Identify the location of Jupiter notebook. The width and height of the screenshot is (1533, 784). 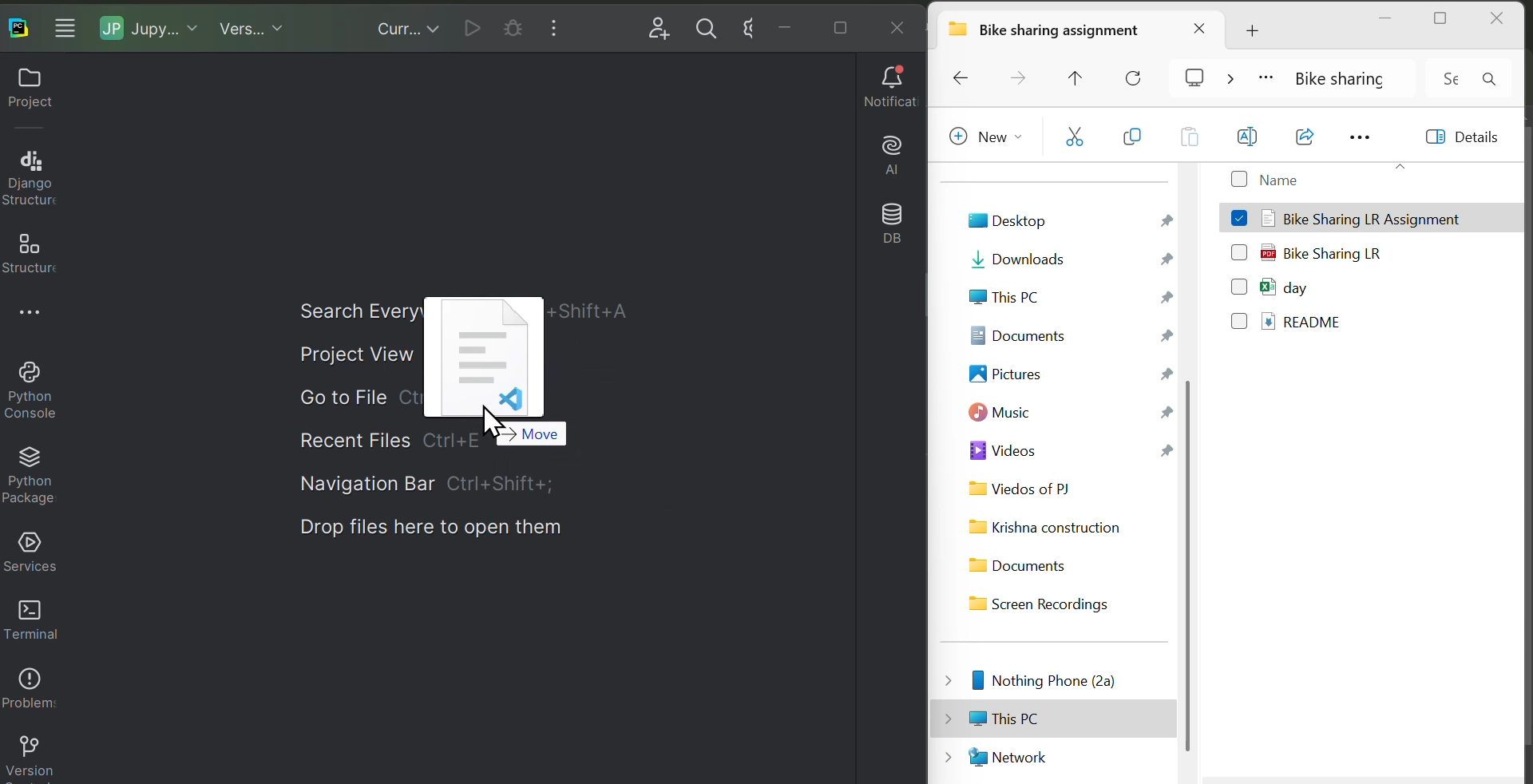
(155, 27).